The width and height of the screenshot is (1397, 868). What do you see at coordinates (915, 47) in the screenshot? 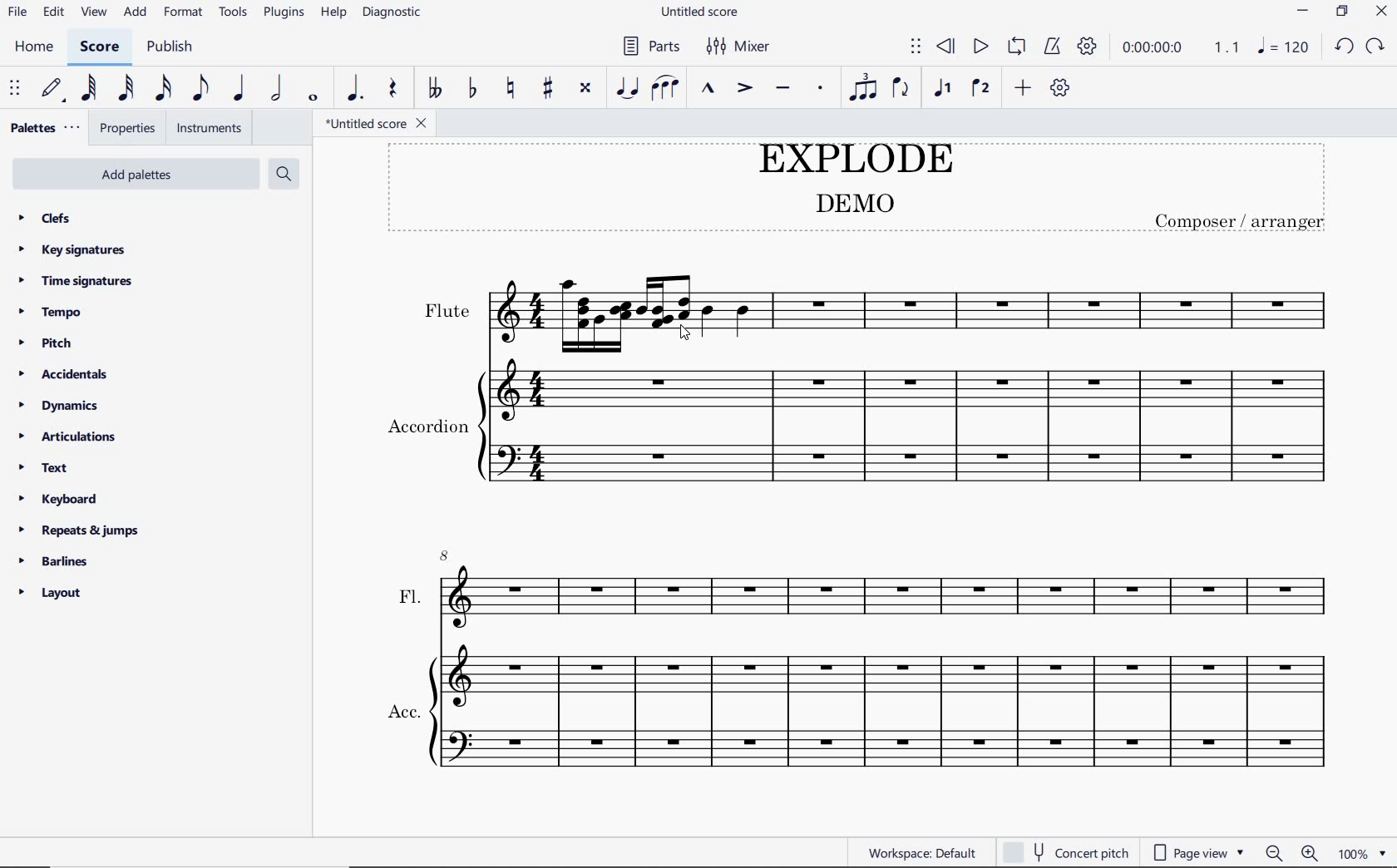
I see `select to move` at bounding box center [915, 47].